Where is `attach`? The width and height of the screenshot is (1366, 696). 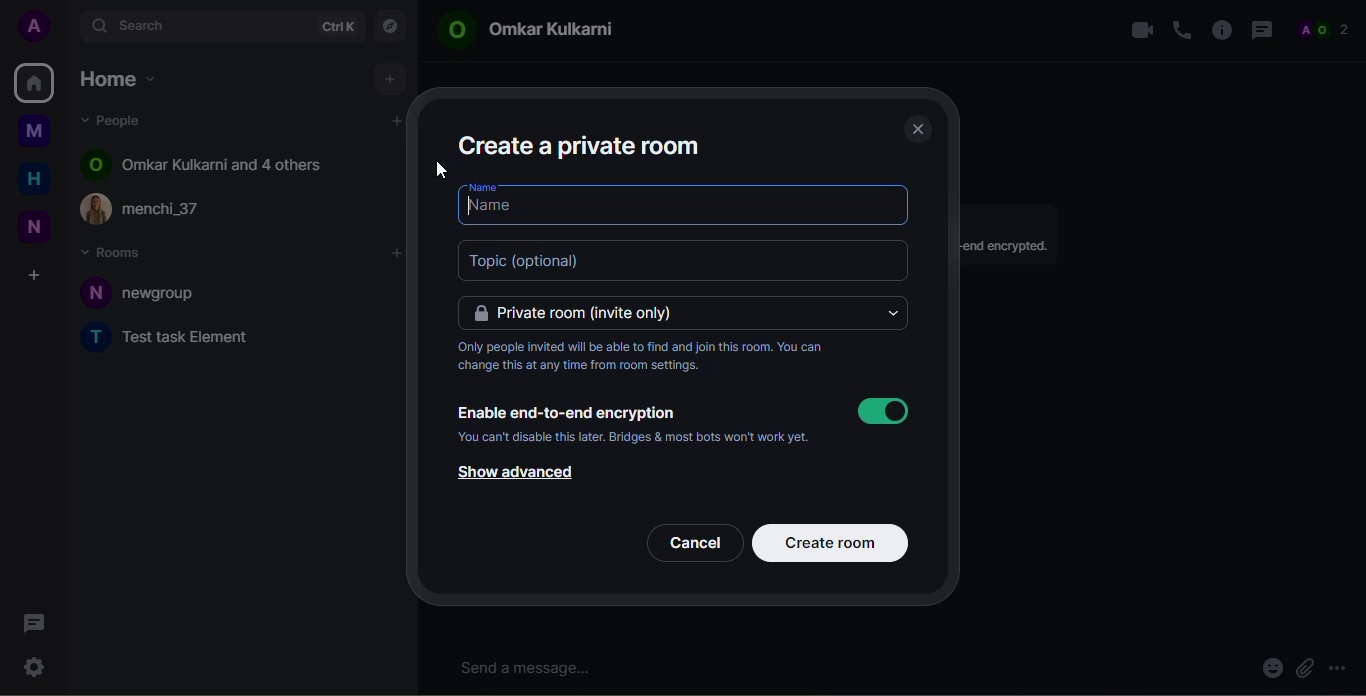 attach is located at coordinates (1304, 669).